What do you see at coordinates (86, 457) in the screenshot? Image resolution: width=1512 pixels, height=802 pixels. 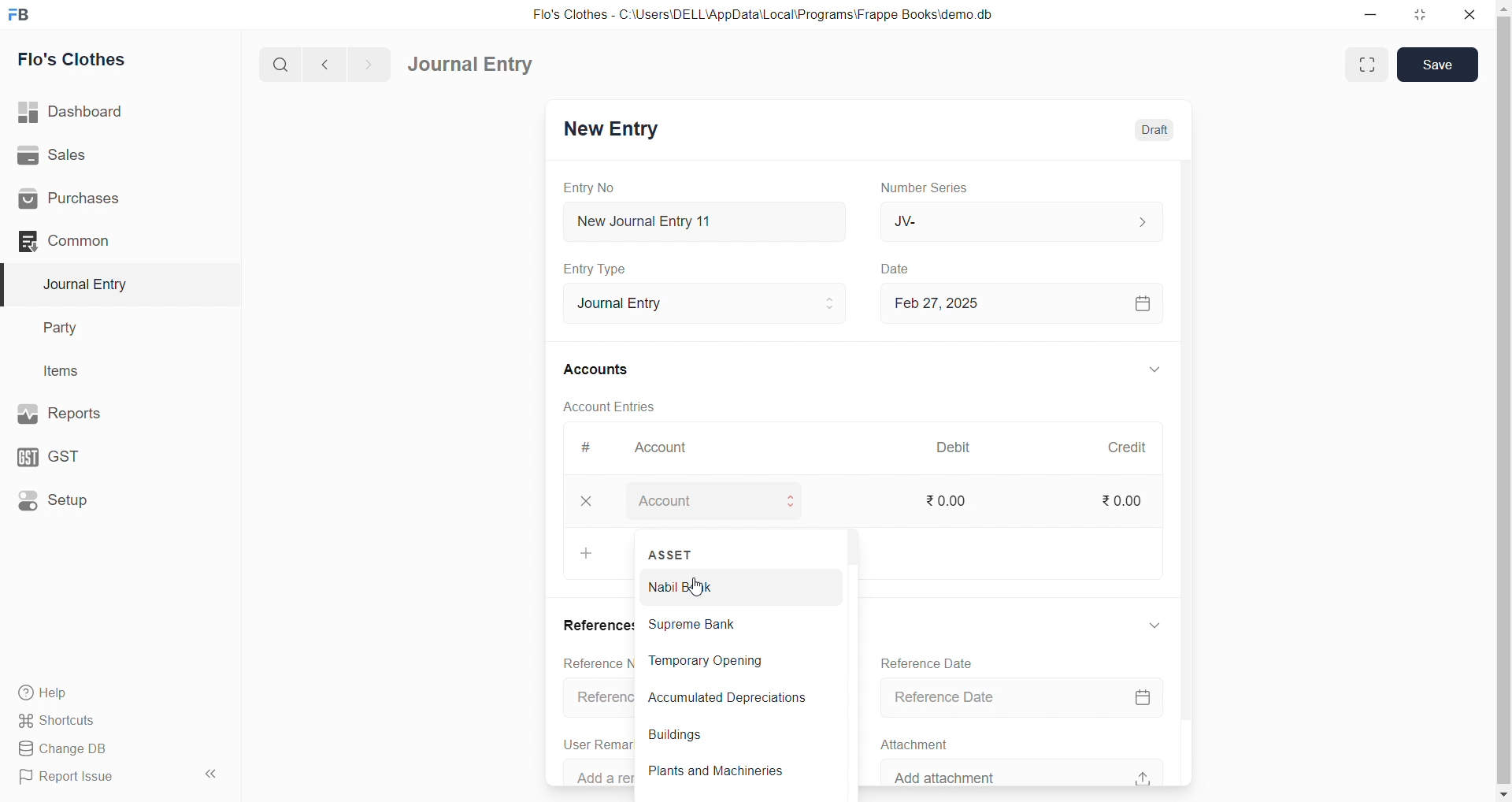 I see `GST` at bounding box center [86, 457].